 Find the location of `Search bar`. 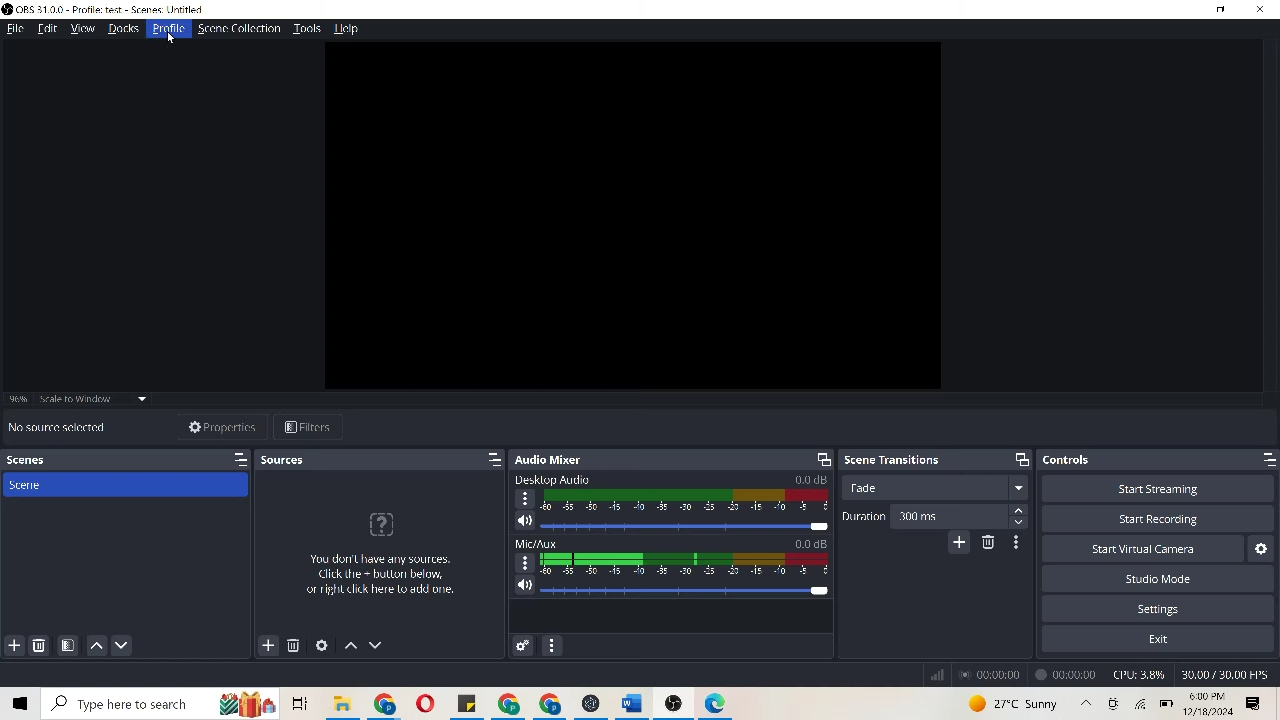

Search bar is located at coordinates (129, 704).